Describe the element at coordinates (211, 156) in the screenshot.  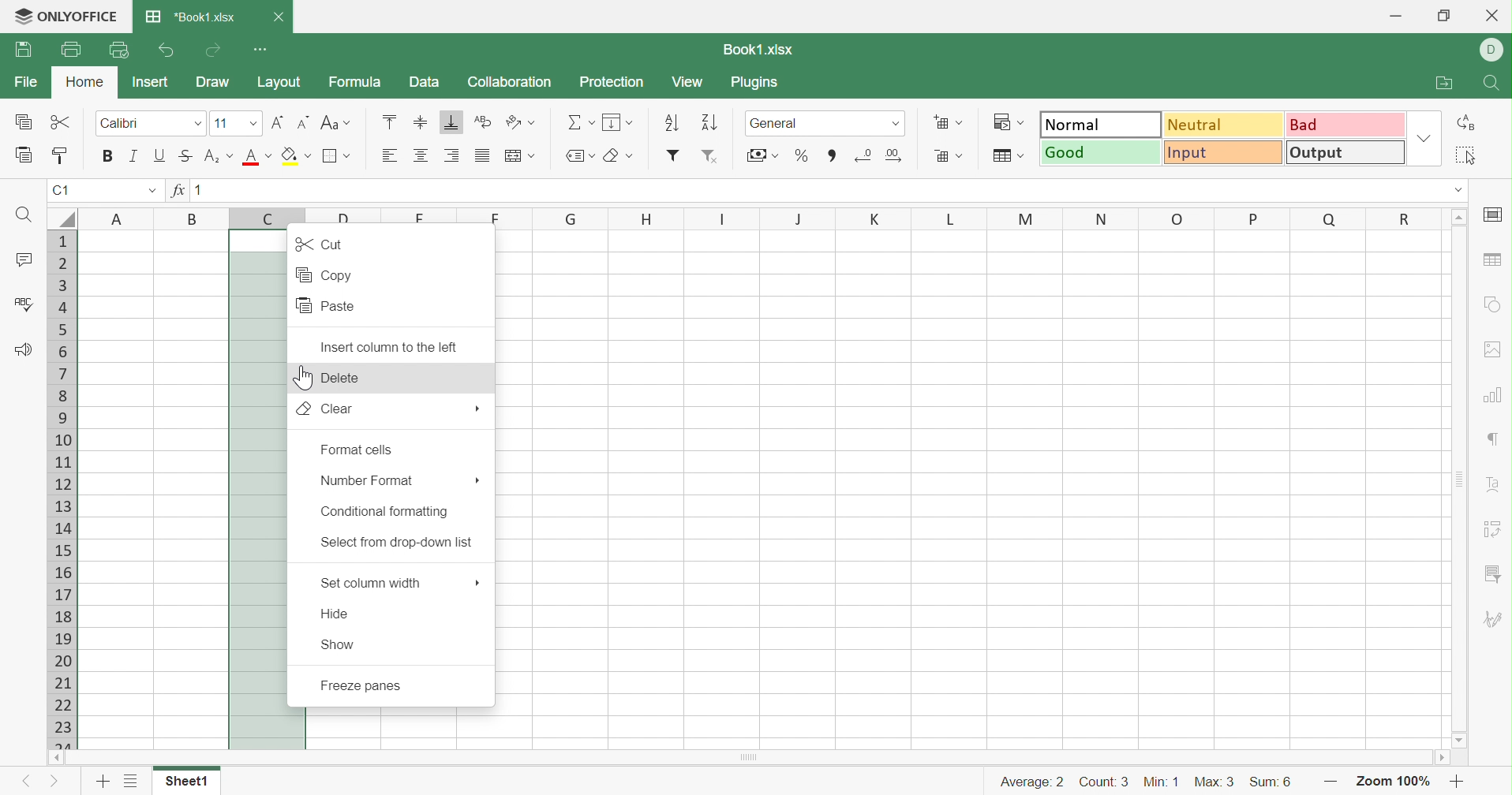
I see `Superscript/Subscript` at that location.